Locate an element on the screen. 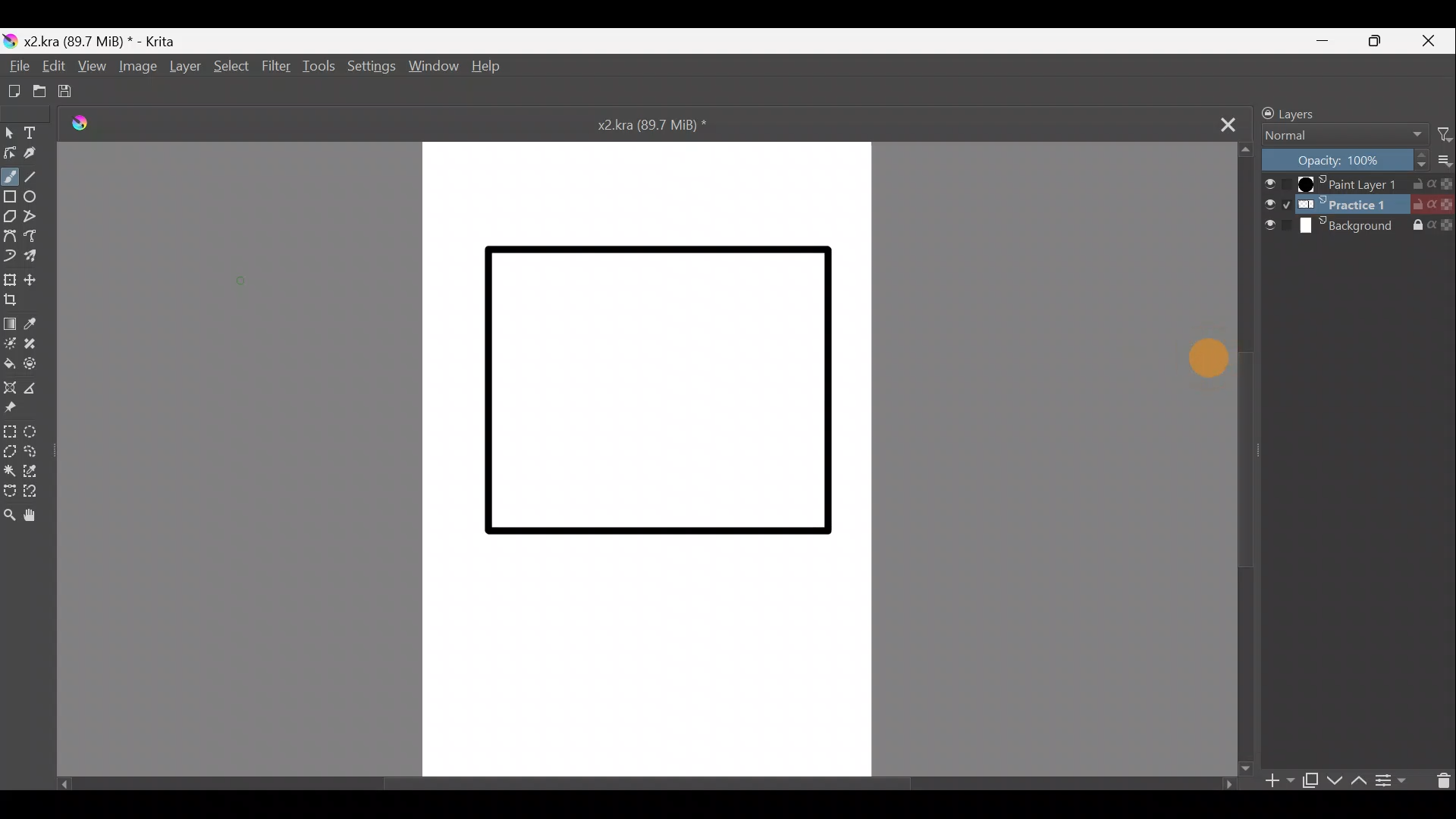 The width and height of the screenshot is (1456, 819). Filter is located at coordinates (274, 65).